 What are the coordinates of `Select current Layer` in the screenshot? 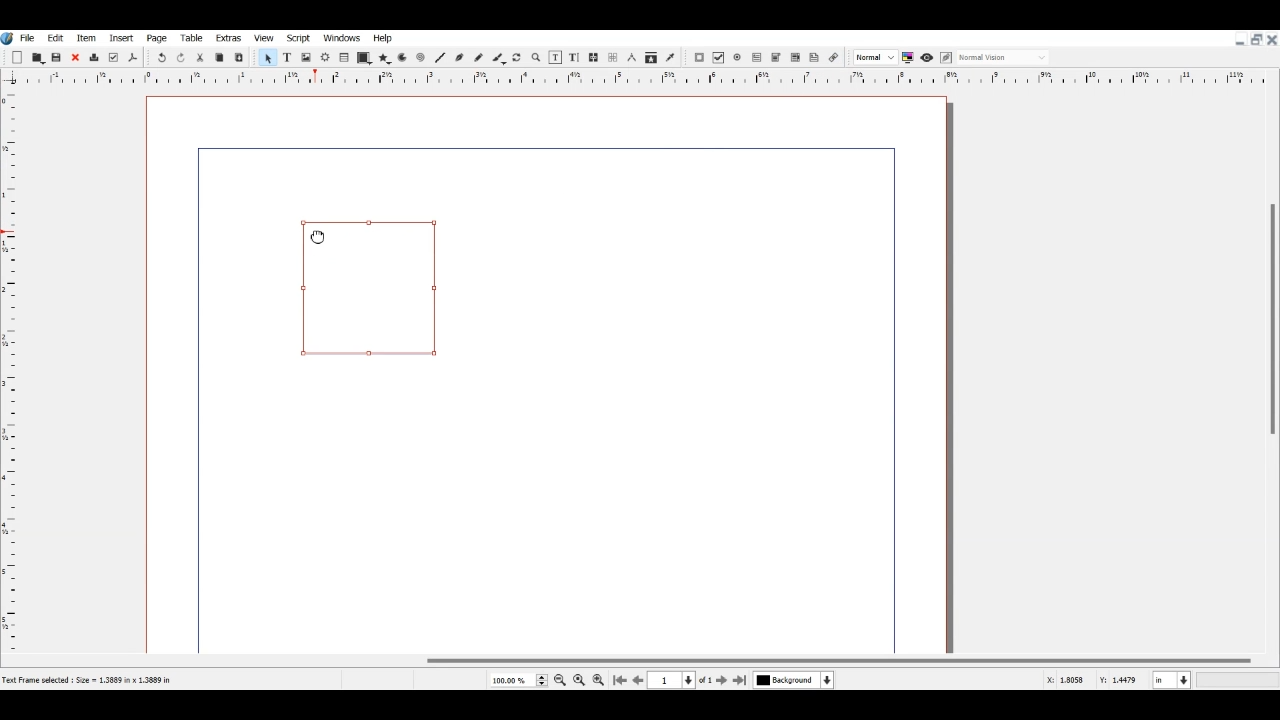 It's located at (796, 681).